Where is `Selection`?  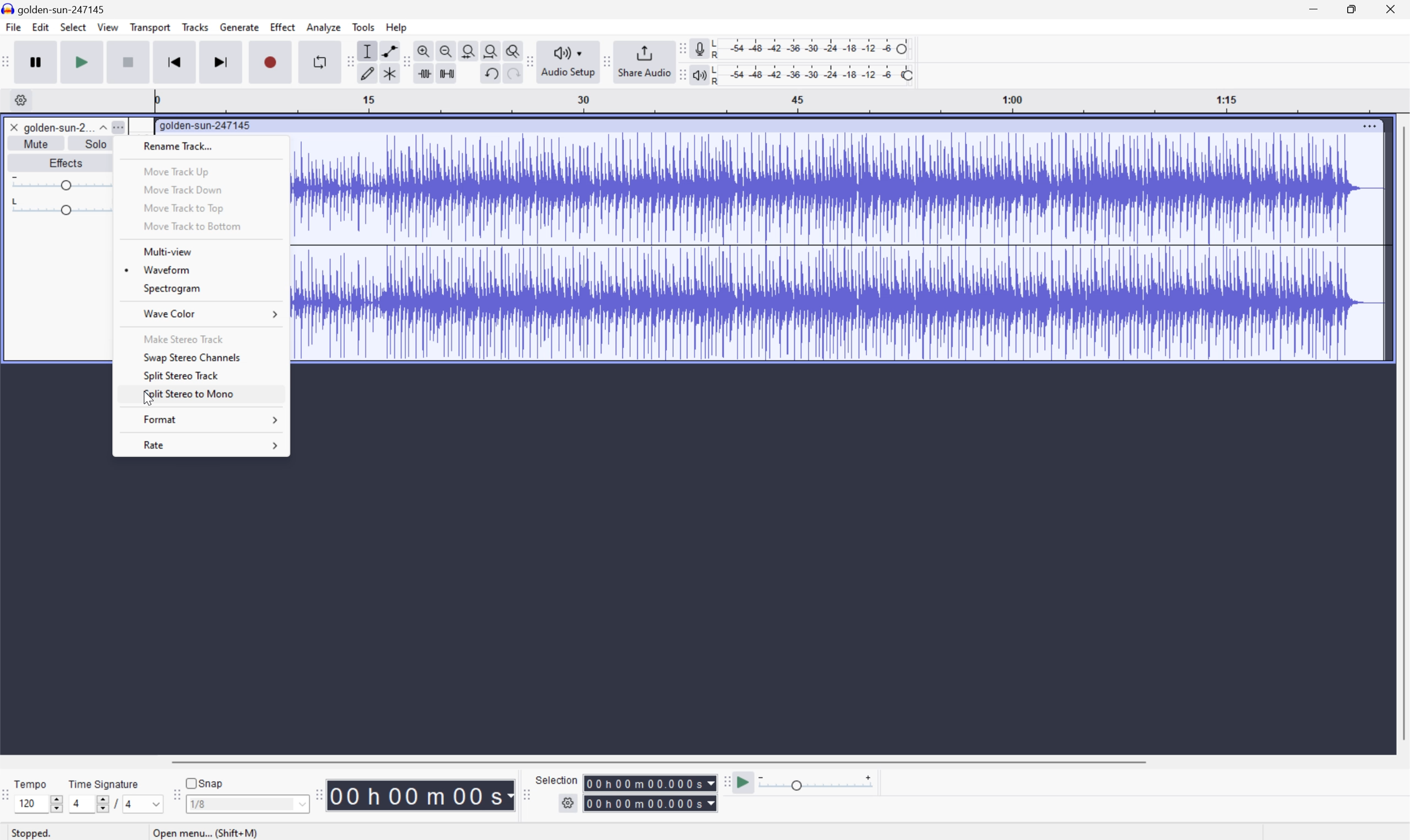
Selection is located at coordinates (651, 793).